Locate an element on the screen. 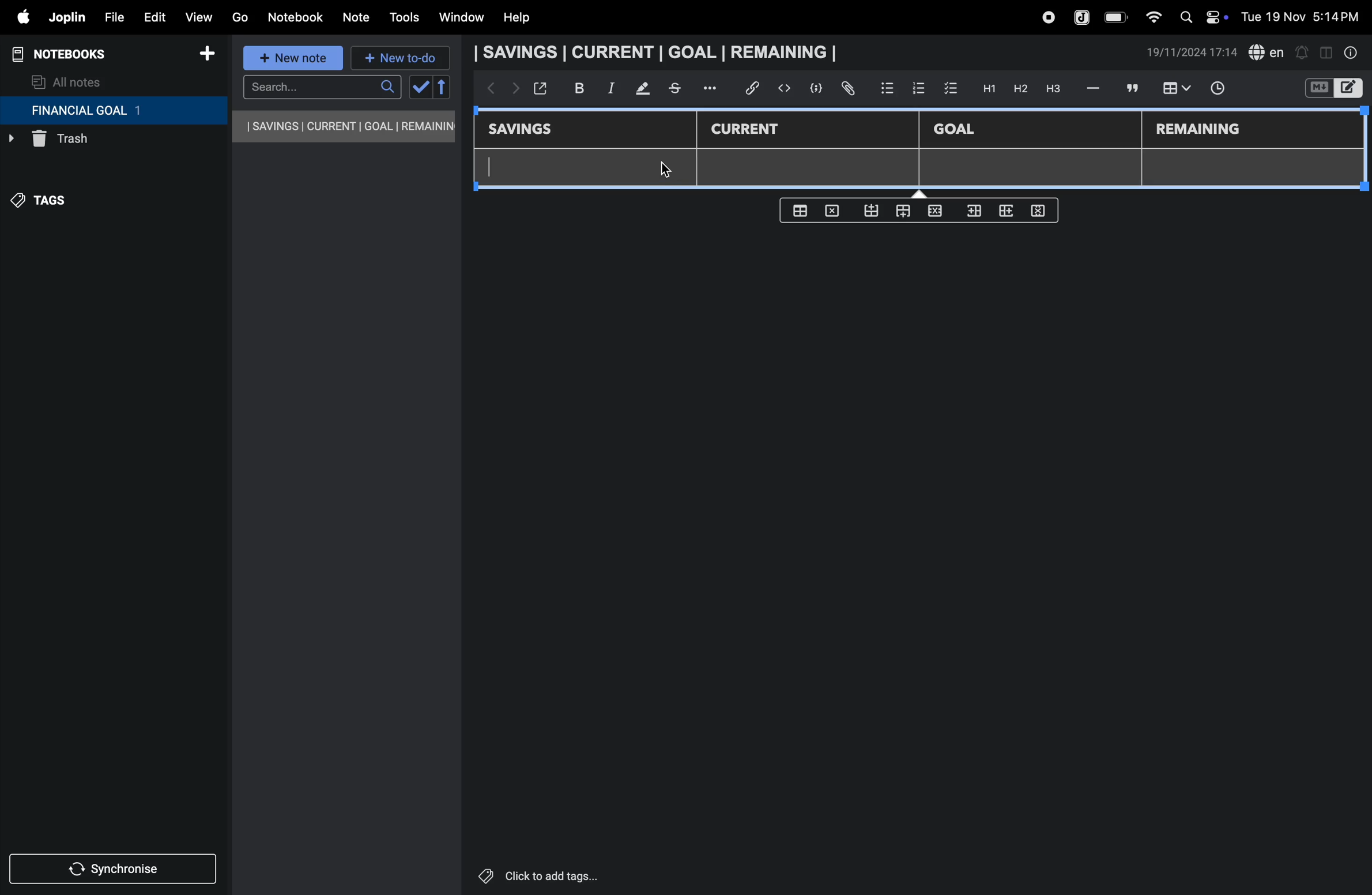  create table is located at coordinates (800, 210).